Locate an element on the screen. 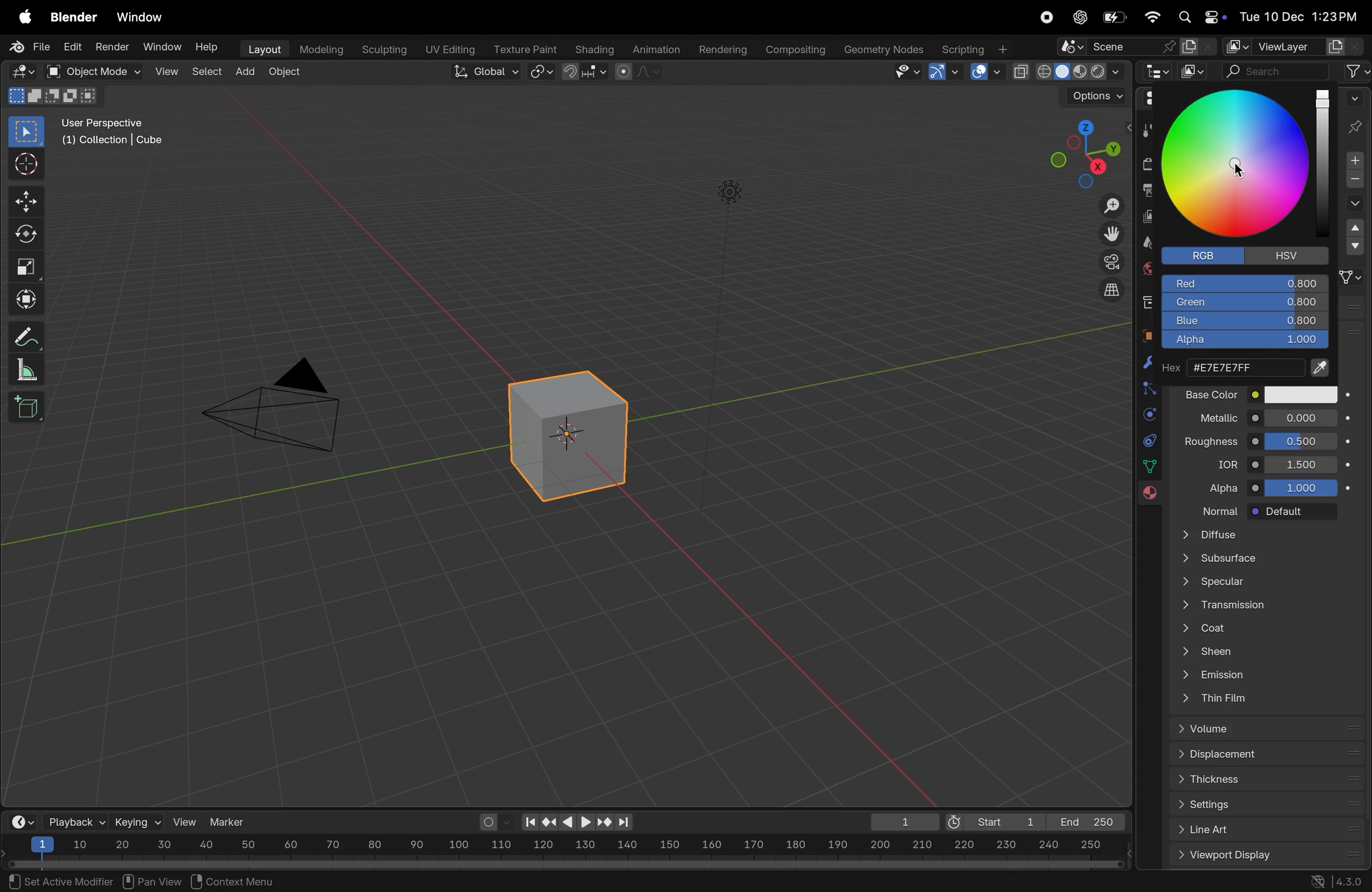 This screenshot has height=892, width=1372. zoom is located at coordinates (1106, 207).